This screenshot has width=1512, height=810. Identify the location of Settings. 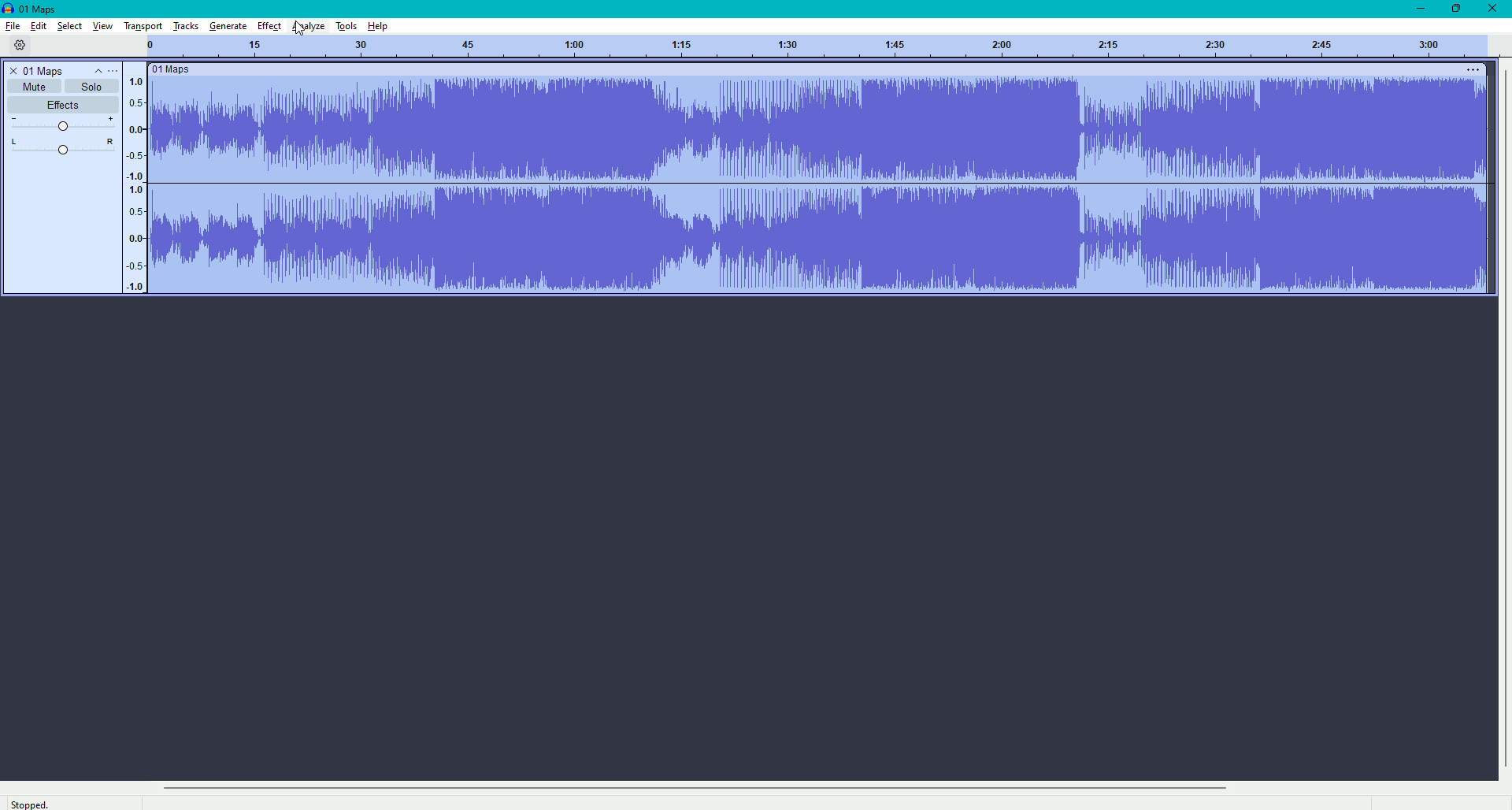
(19, 45).